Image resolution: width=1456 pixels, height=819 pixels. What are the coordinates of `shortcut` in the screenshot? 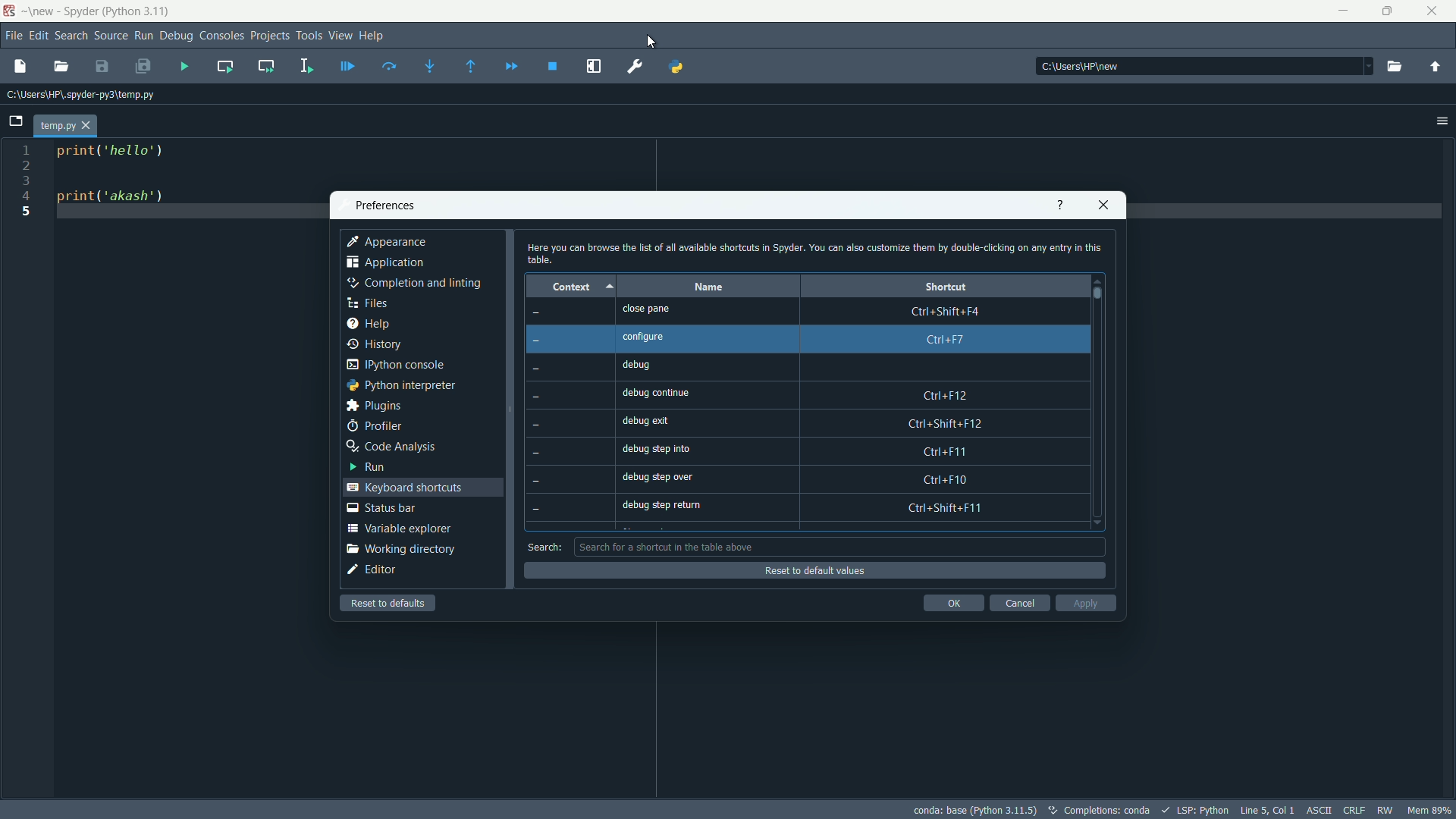 It's located at (946, 286).